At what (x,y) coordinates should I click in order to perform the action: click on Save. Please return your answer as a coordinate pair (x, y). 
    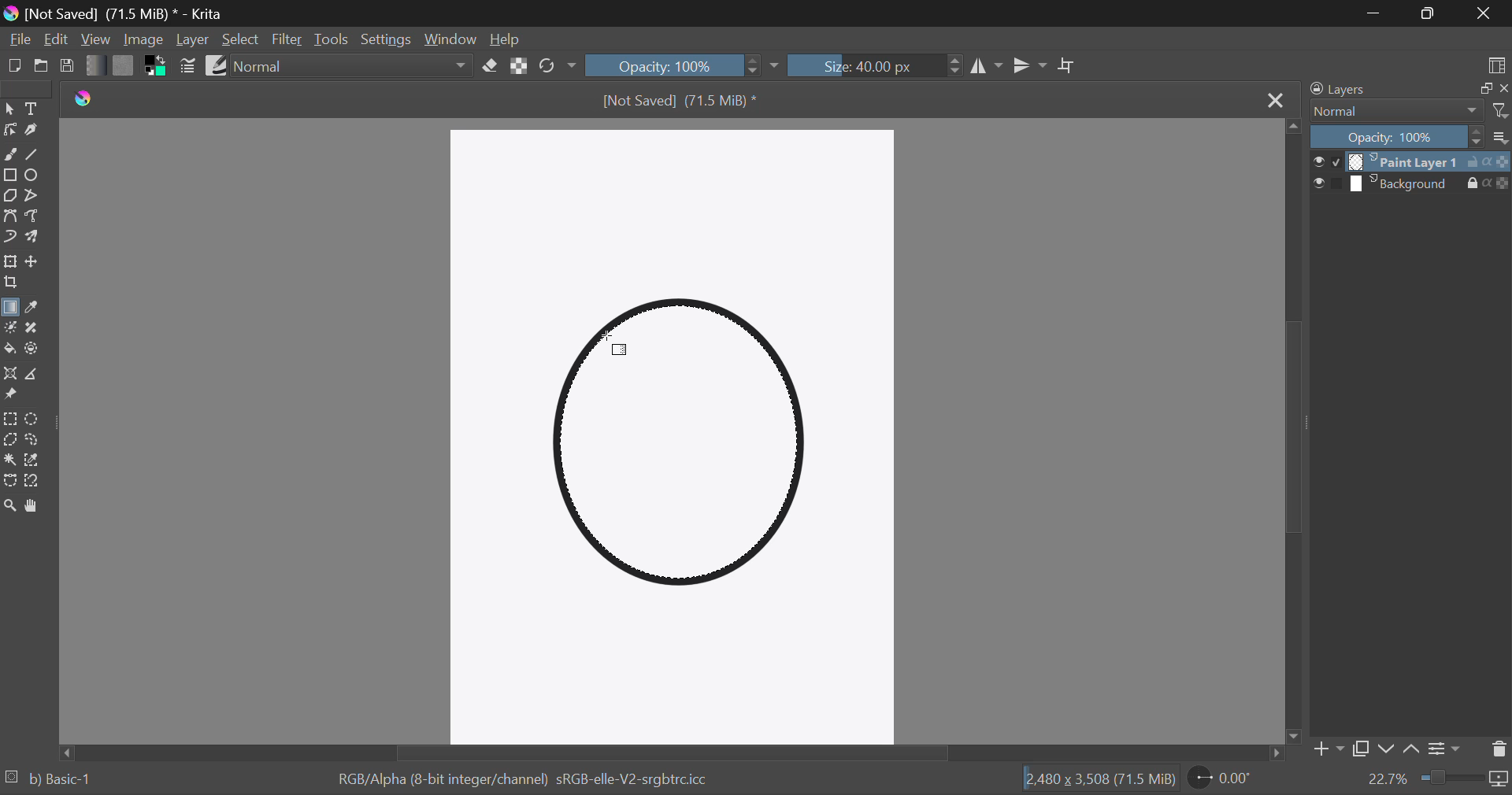
    Looking at the image, I should click on (68, 66).